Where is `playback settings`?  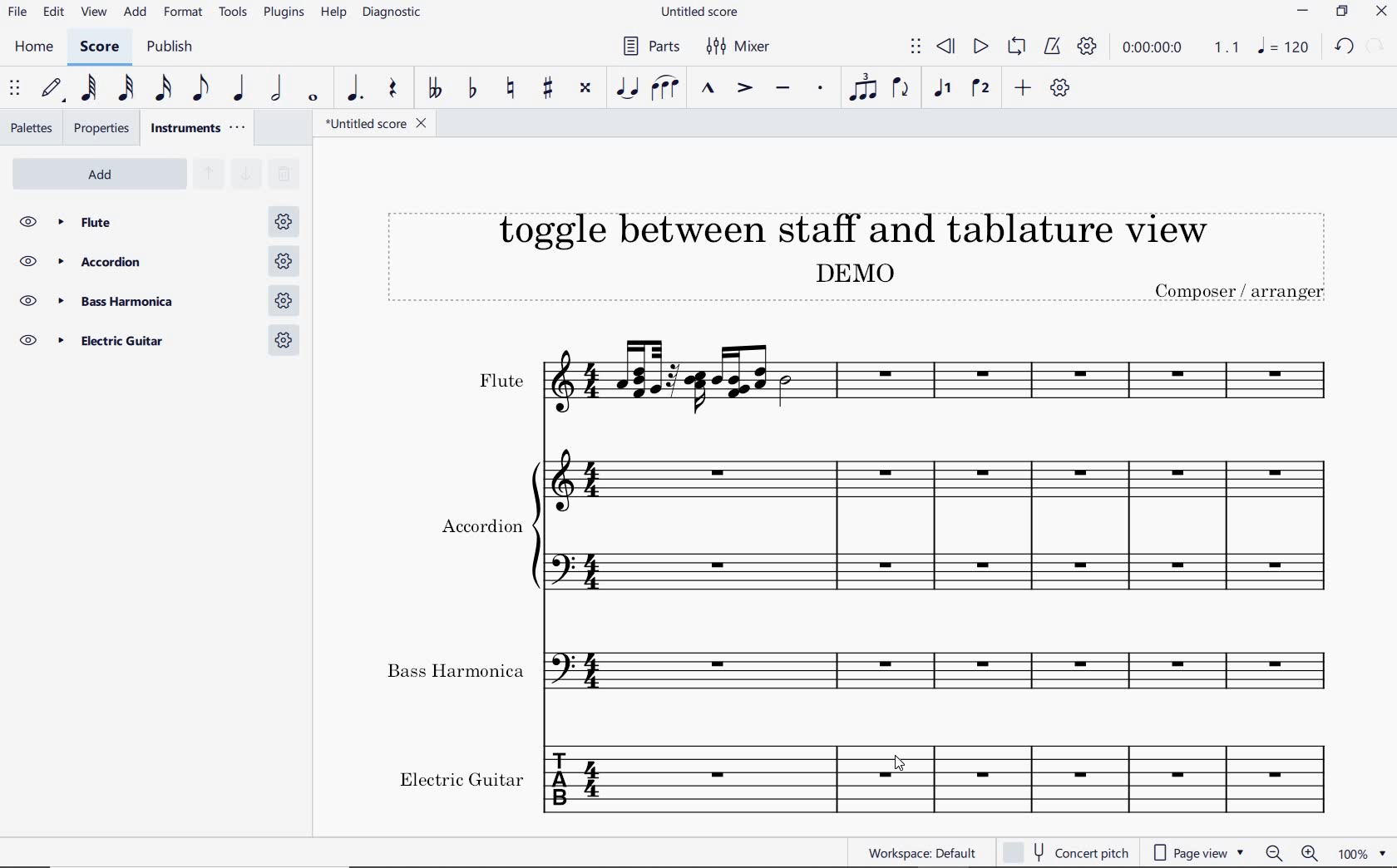
playback settings is located at coordinates (1088, 50).